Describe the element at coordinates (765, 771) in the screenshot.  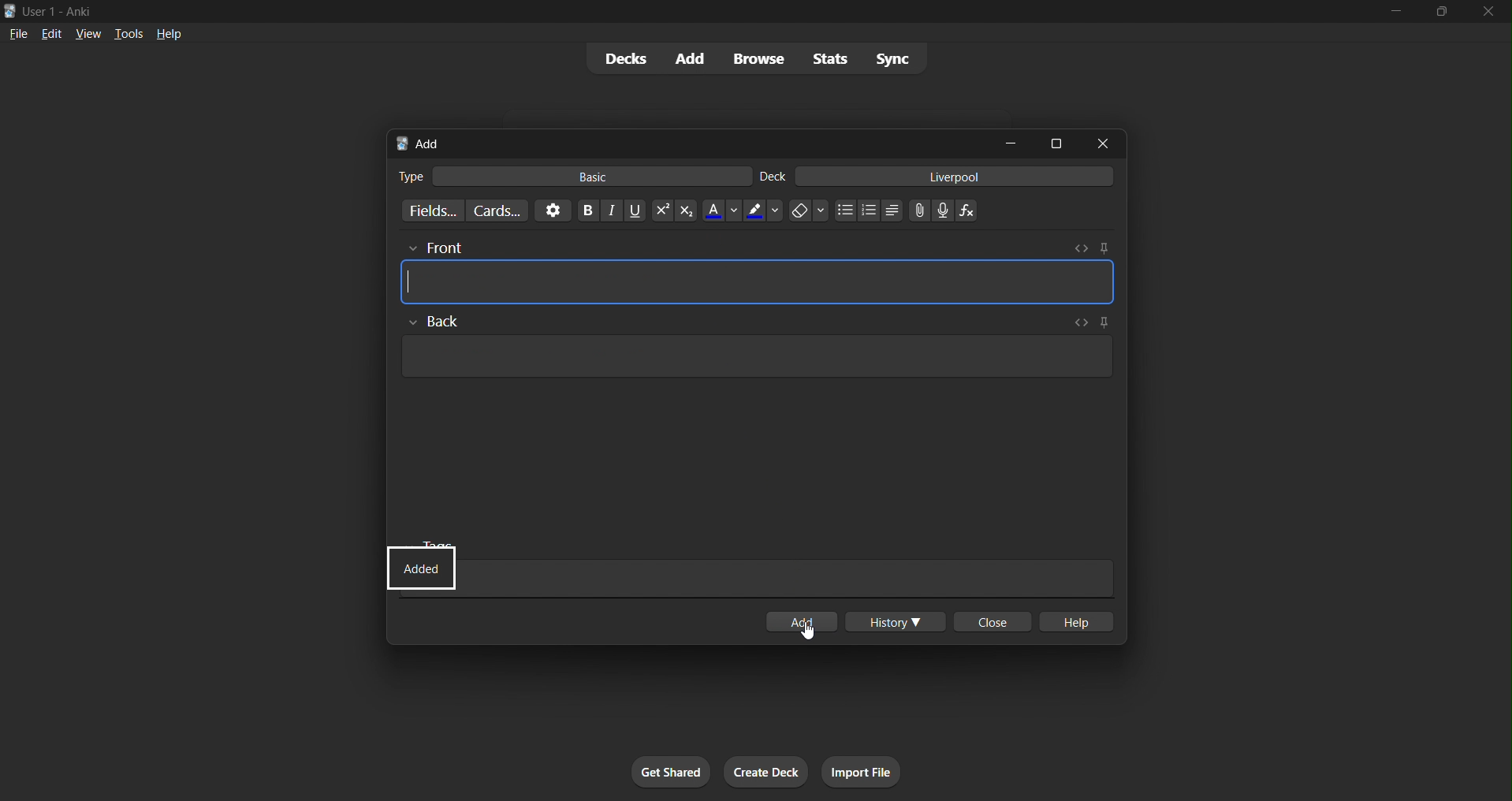
I see `create deck` at that location.